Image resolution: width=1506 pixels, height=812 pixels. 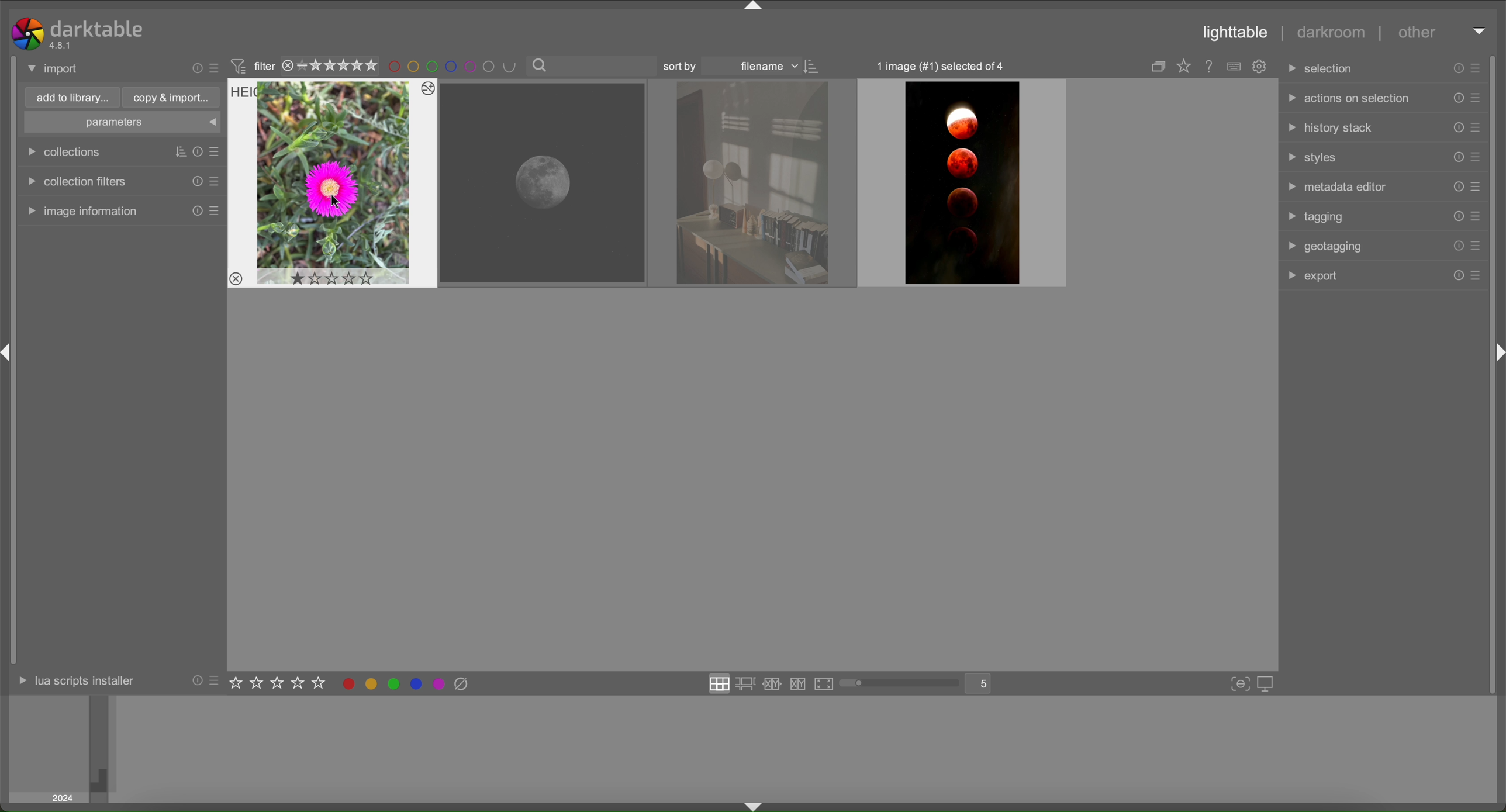 I want to click on presets, so click(x=1476, y=157).